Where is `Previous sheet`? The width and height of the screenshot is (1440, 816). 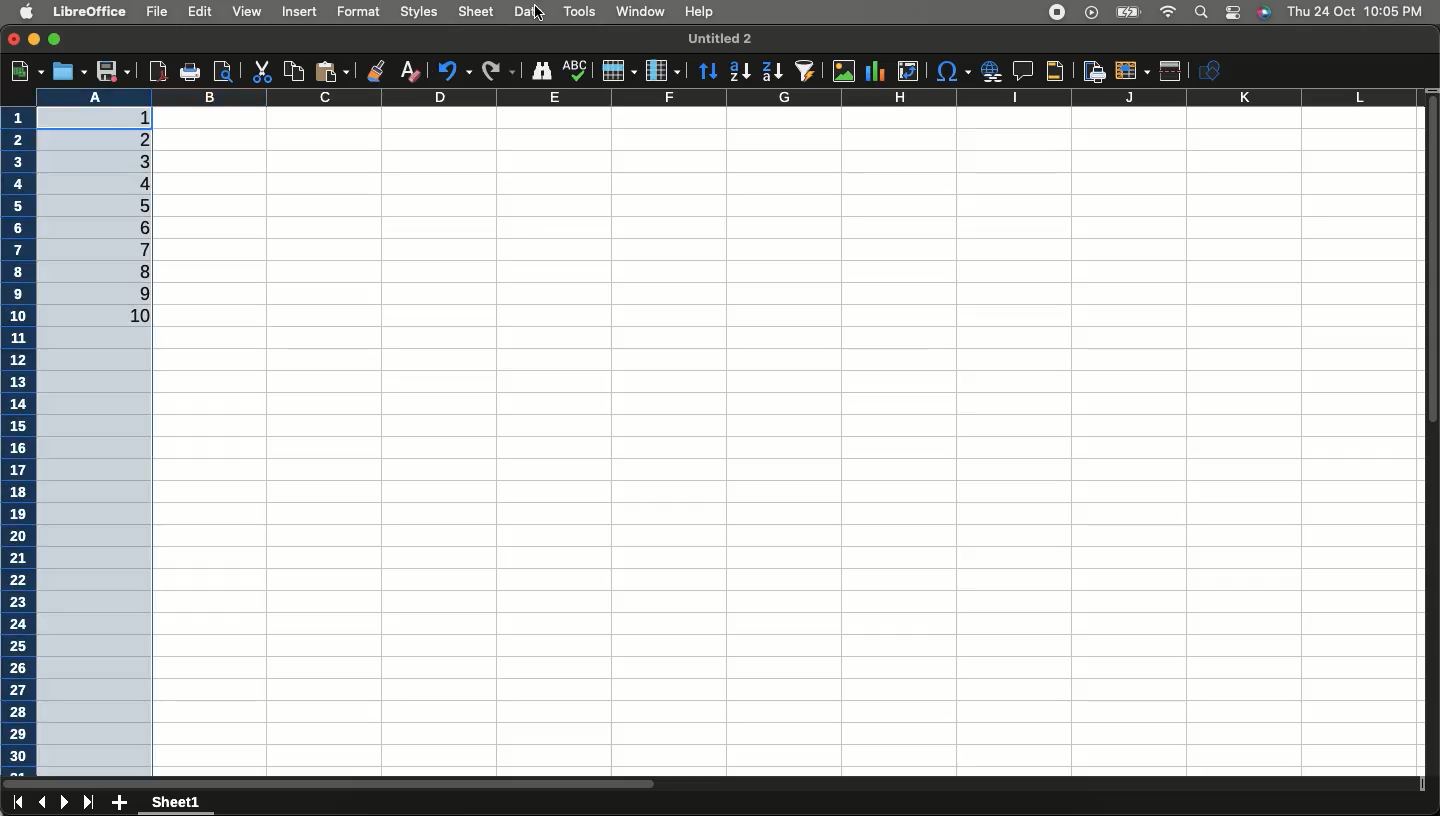
Previous sheet is located at coordinates (42, 804).